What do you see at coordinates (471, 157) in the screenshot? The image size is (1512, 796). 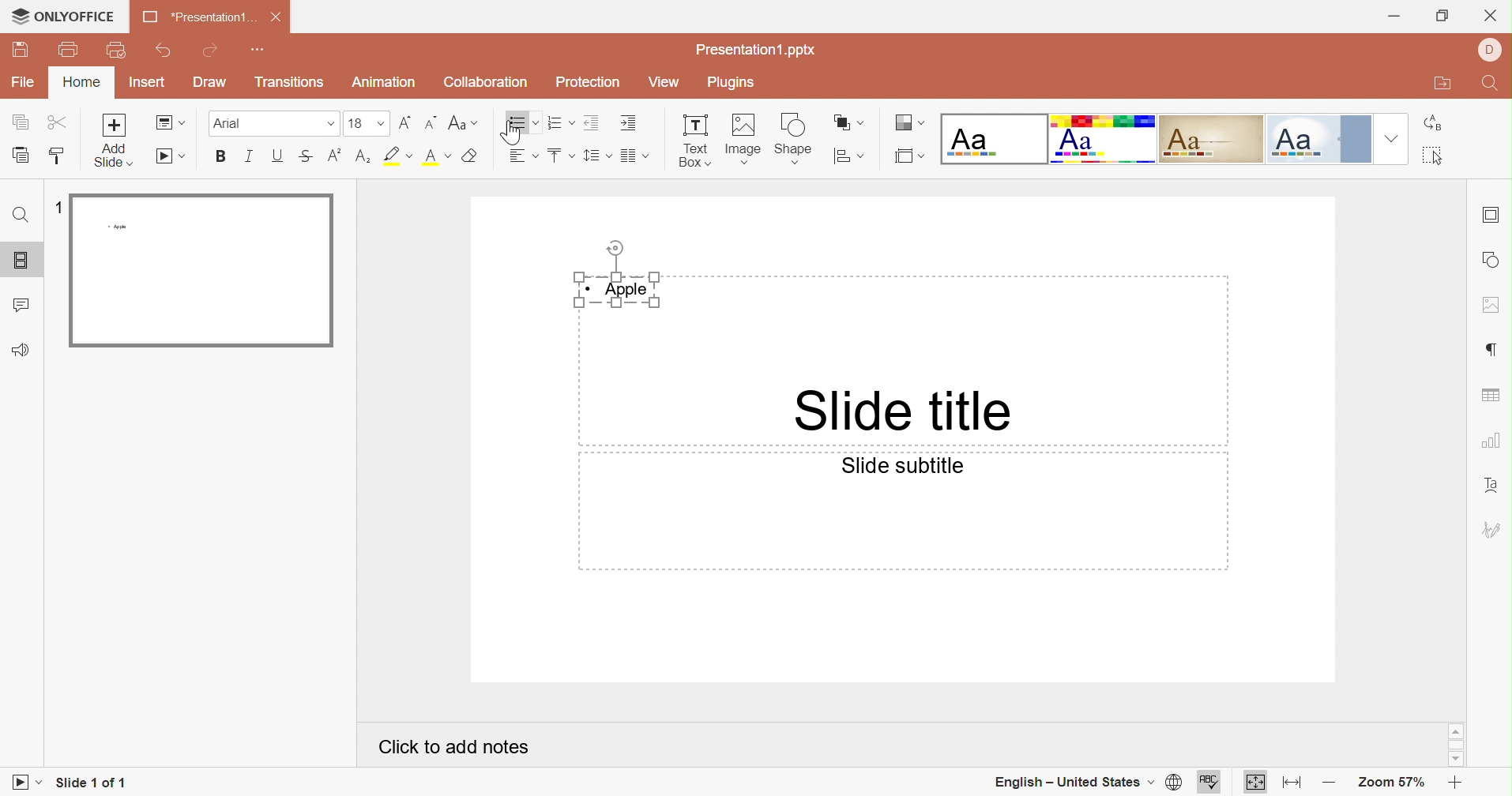 I see `Clear` at bounding box center [471, 157].